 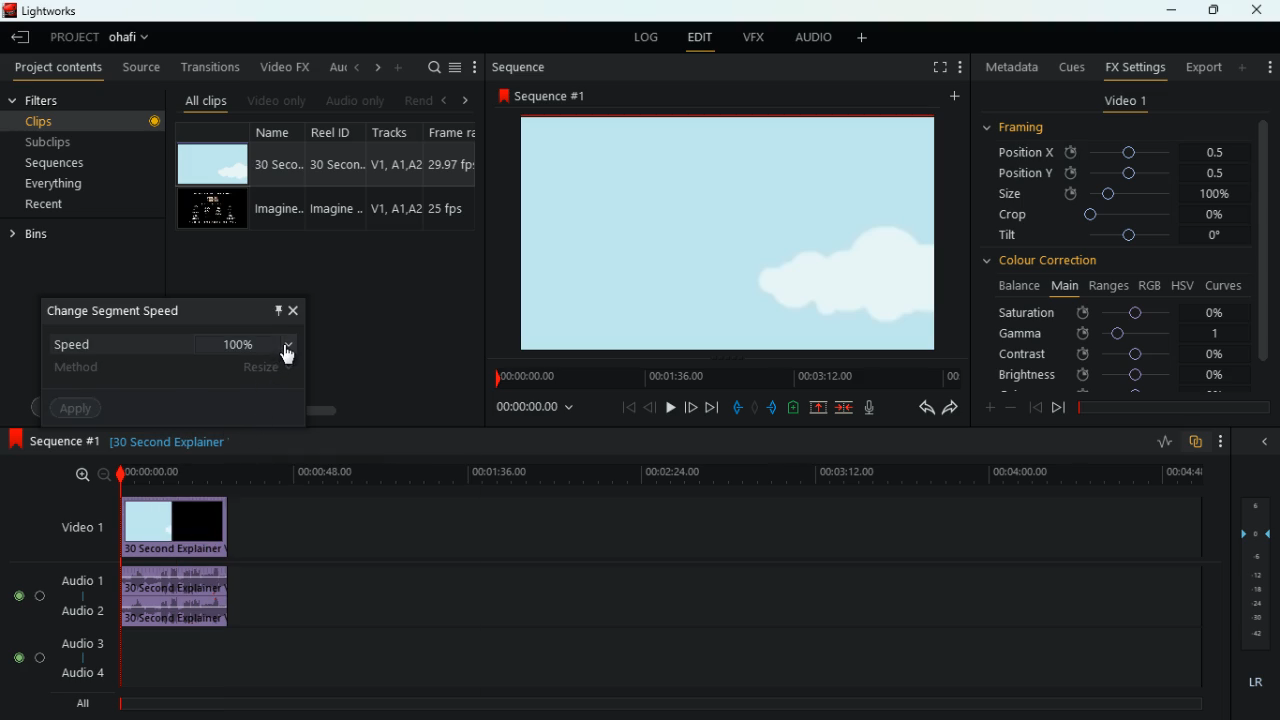 What do you see at coordinates (1170, 405) in the screenshot?
I see `timeline` at bounding box center [1170, 405].